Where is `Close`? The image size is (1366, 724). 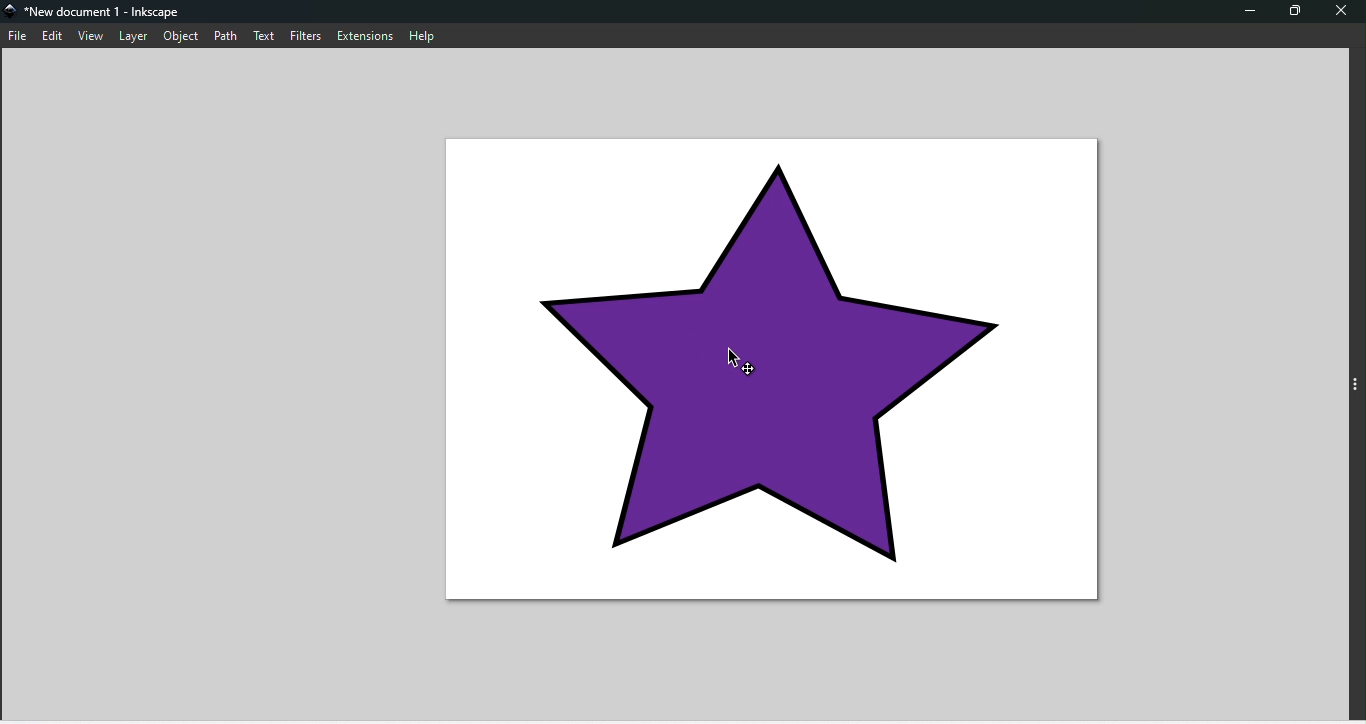
Close is located at coordinates (1340, 10).